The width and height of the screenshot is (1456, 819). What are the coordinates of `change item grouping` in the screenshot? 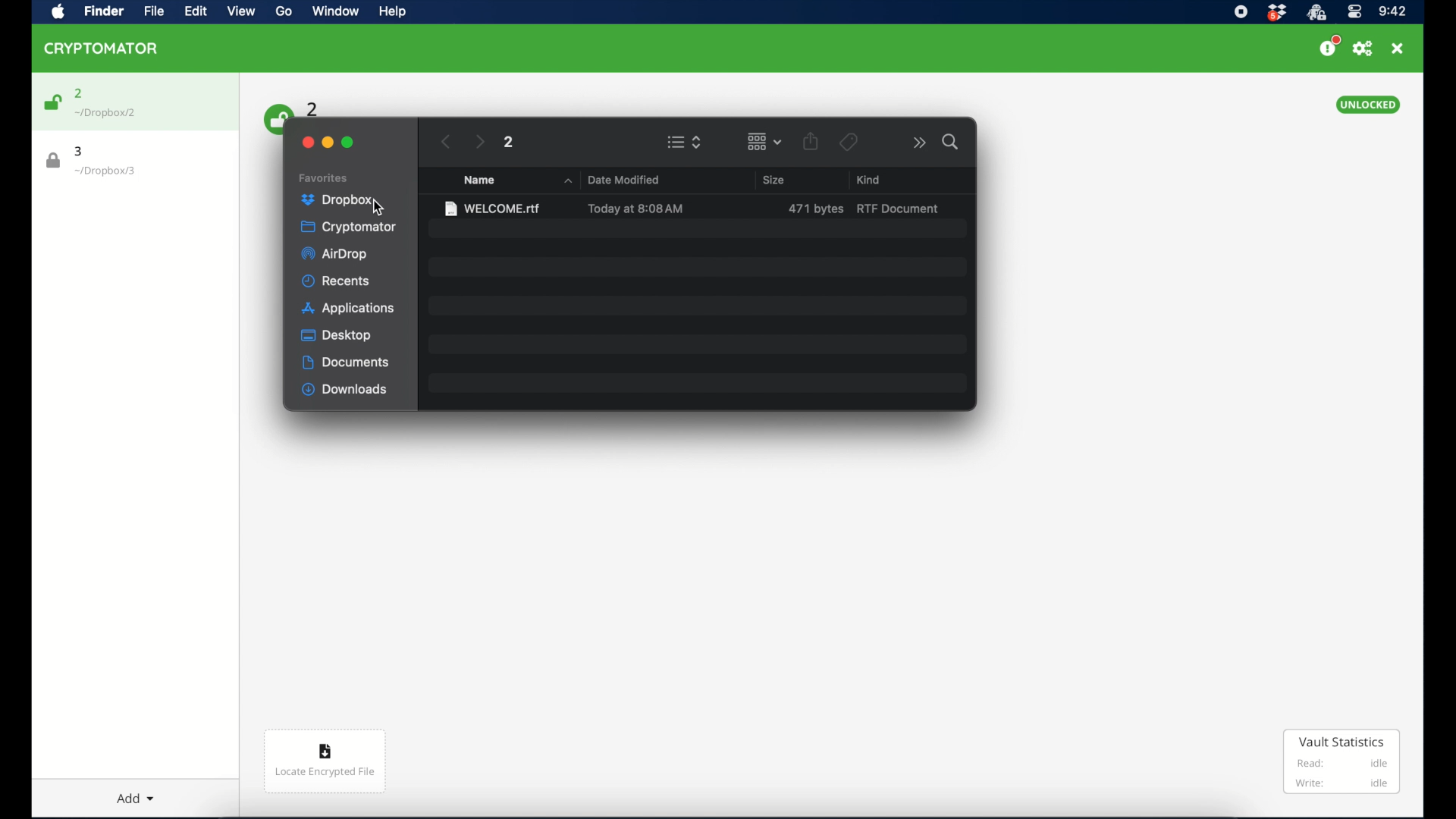 It's located at (765, 141).